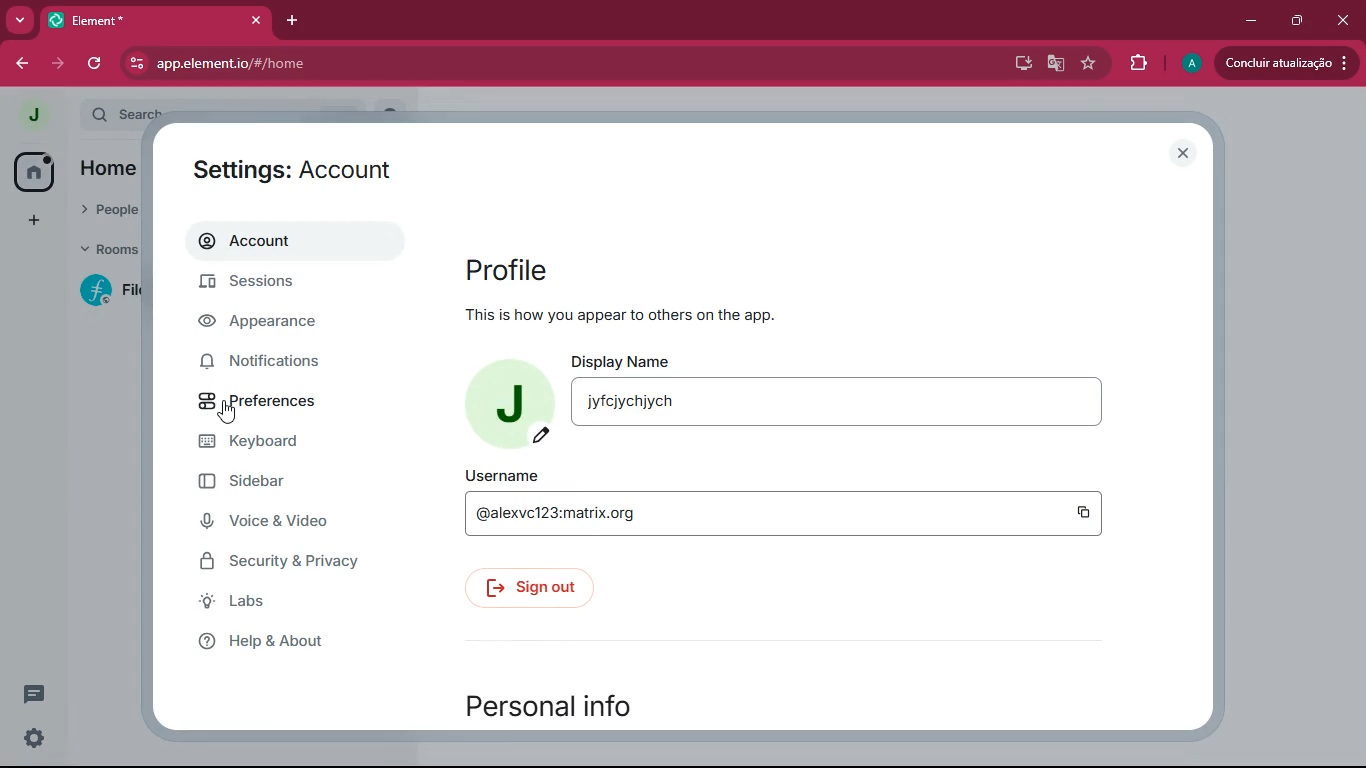  I want to click on close, so click(1185, 153).